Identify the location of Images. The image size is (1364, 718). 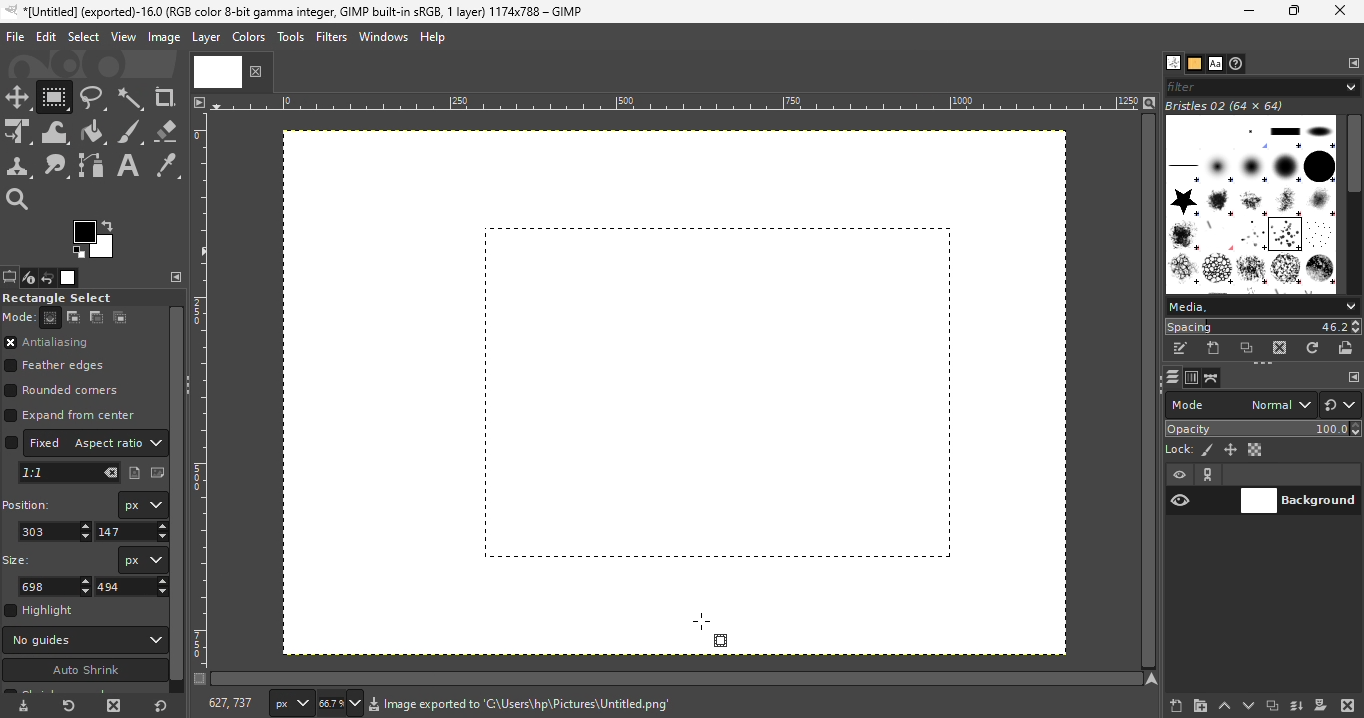
(70, 278).